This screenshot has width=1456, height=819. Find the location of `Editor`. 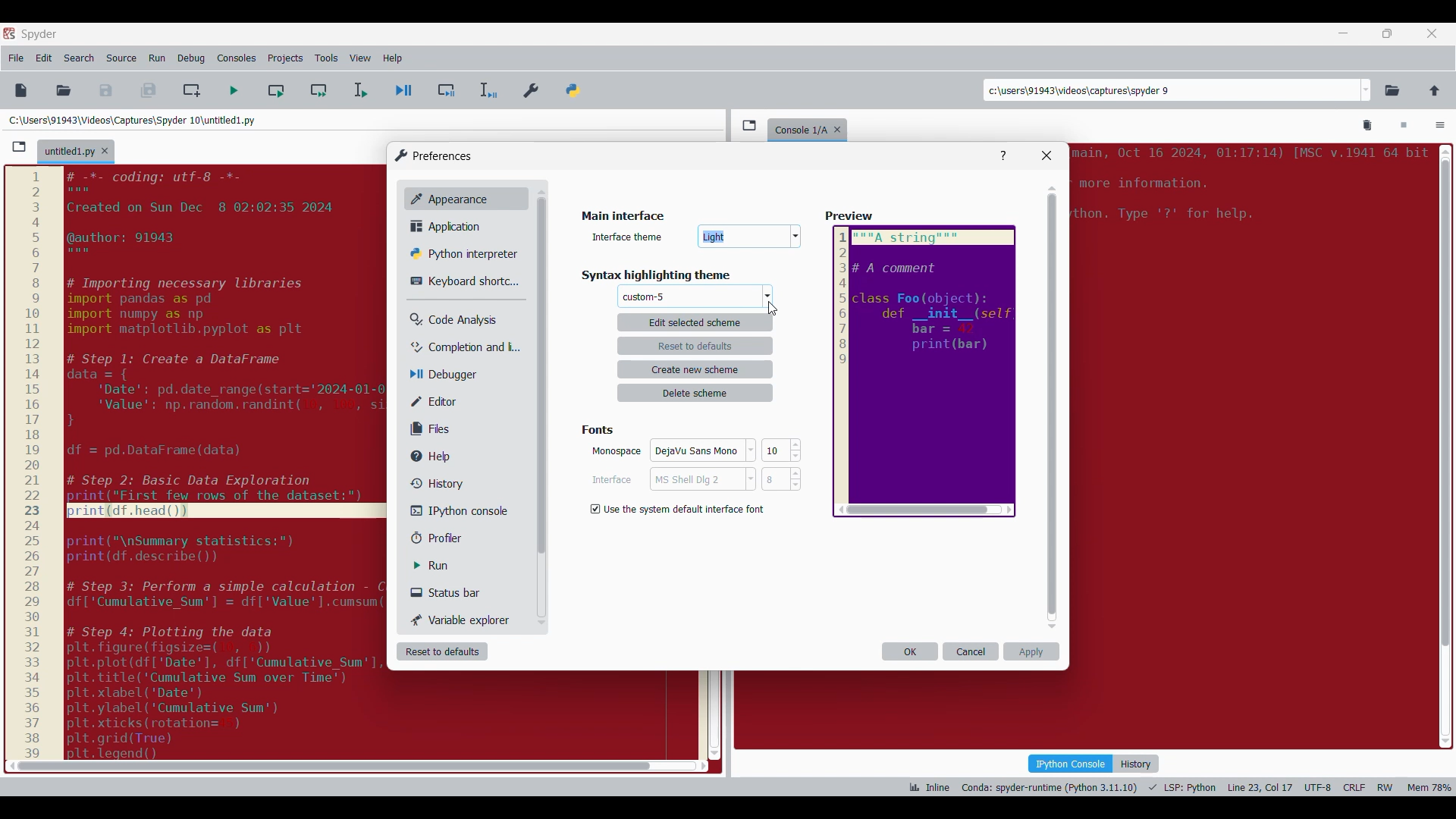

Editor is located at coordinates (444, 401).